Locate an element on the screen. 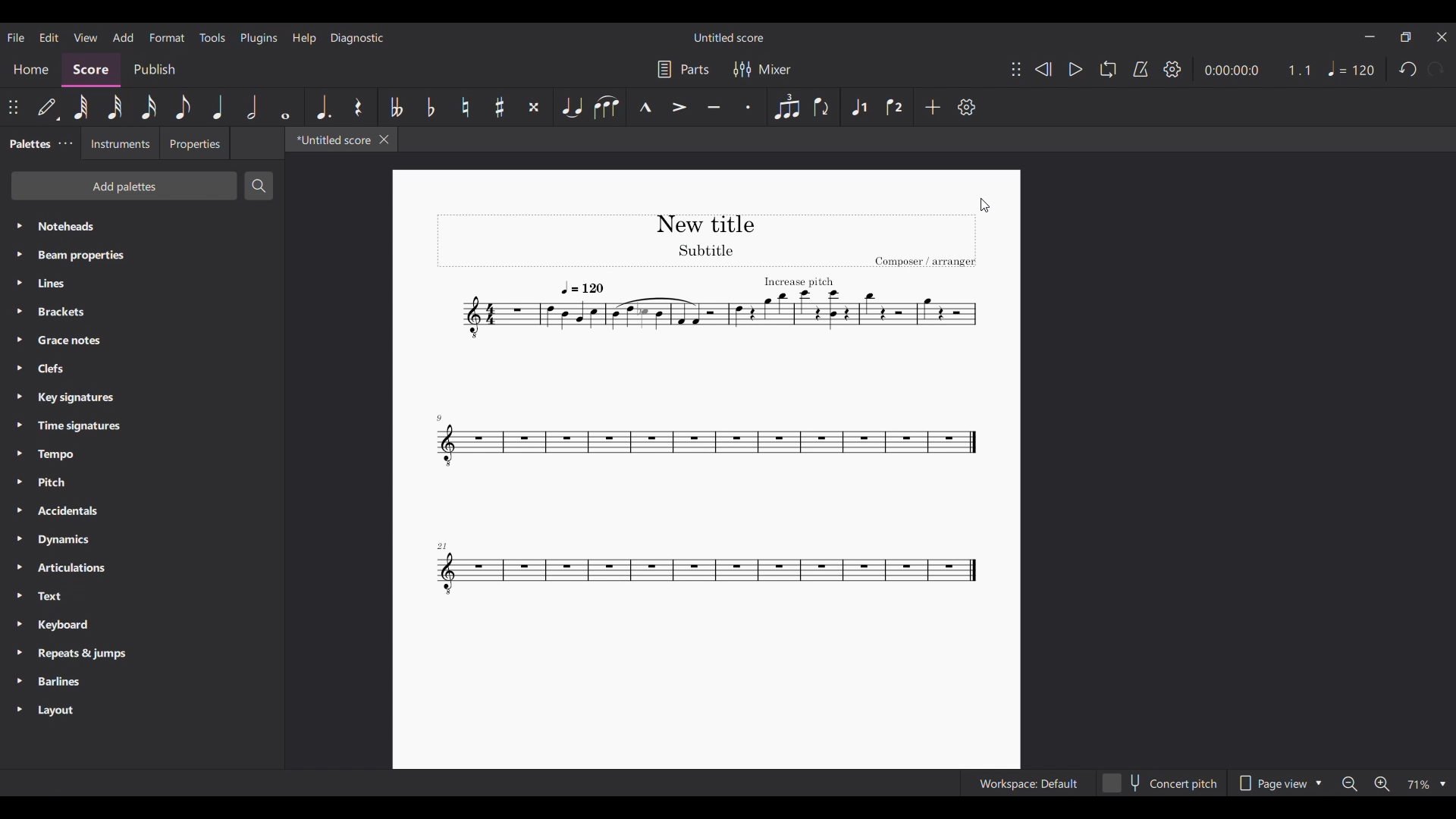  Add menu is located at coordinates (124, 38).